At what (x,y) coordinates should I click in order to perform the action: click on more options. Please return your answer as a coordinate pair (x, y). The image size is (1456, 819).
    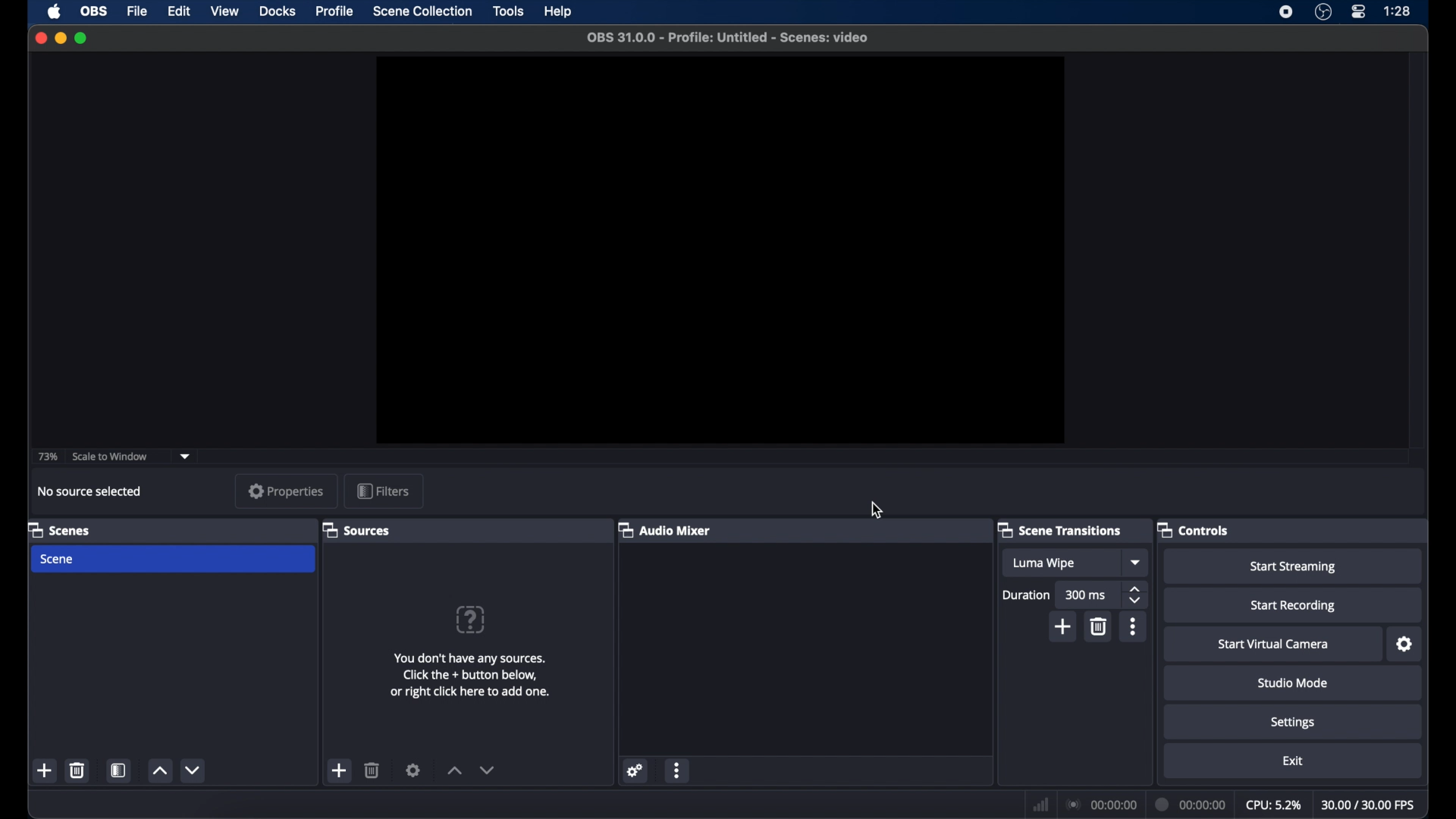
    Looking at the image, I should click on (1132, 626).